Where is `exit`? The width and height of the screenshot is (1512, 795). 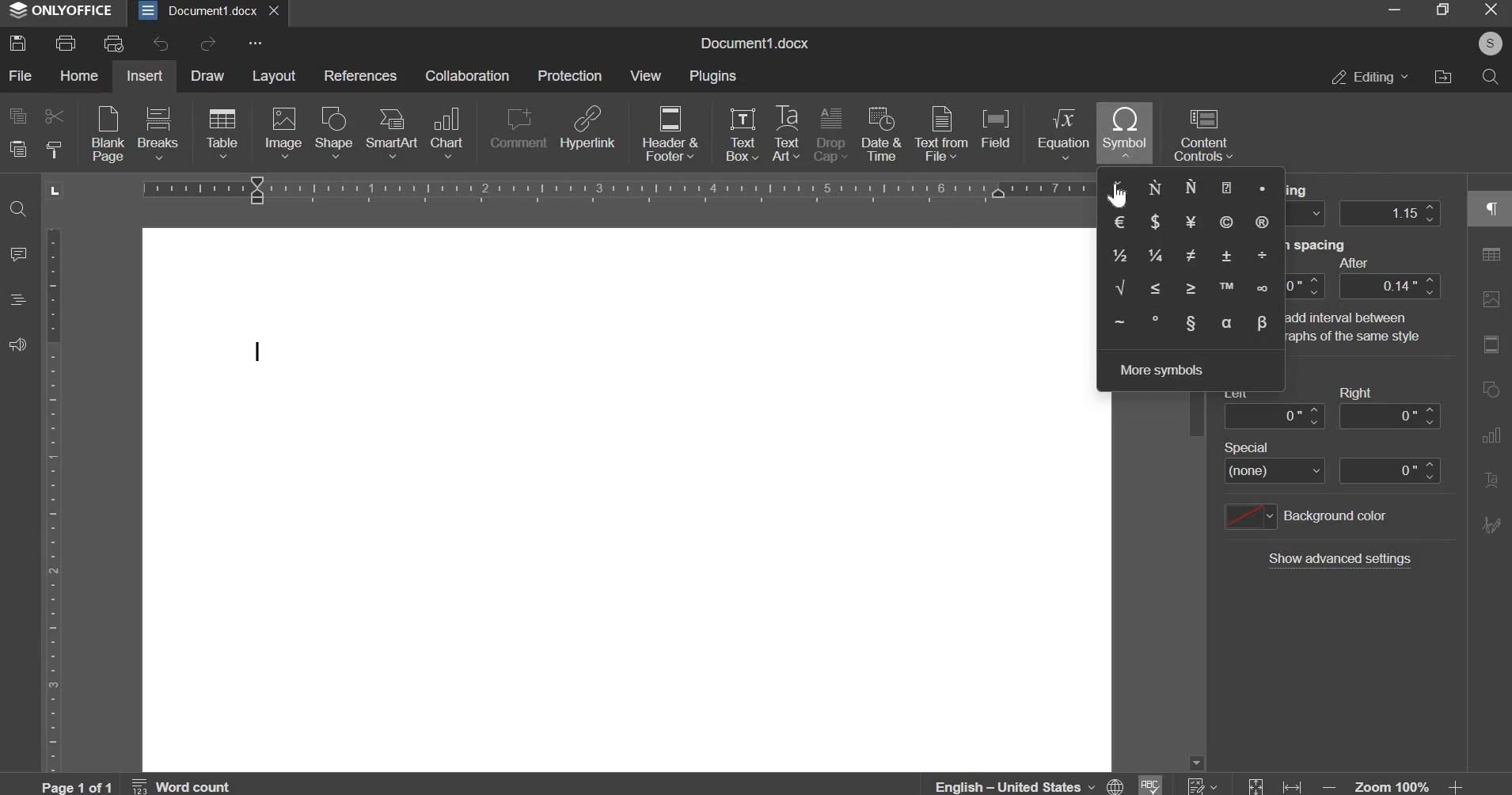 exit is located at coordinates (1490, 9).